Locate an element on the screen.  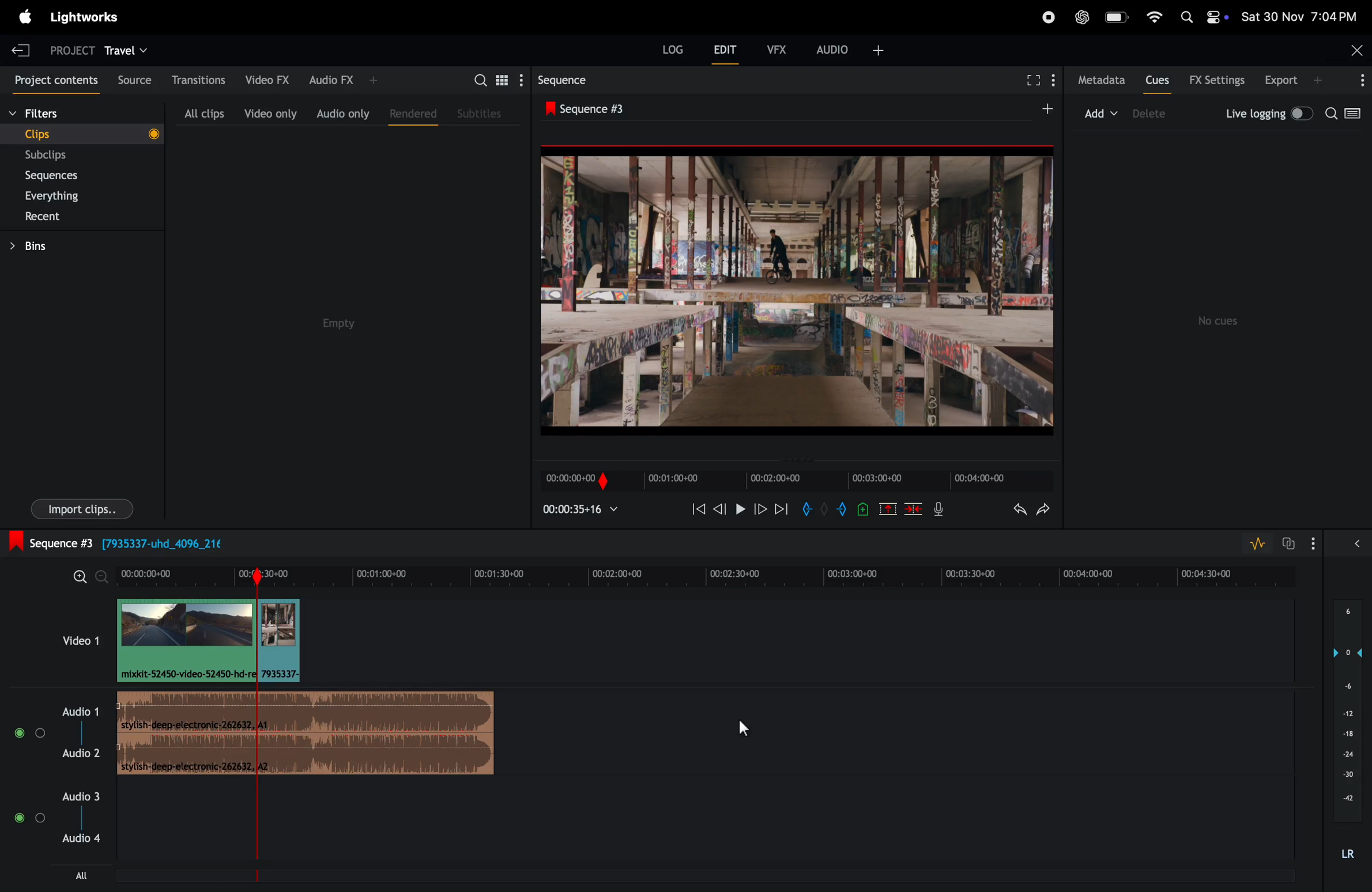
all clips is located at coordinates (203, 110).